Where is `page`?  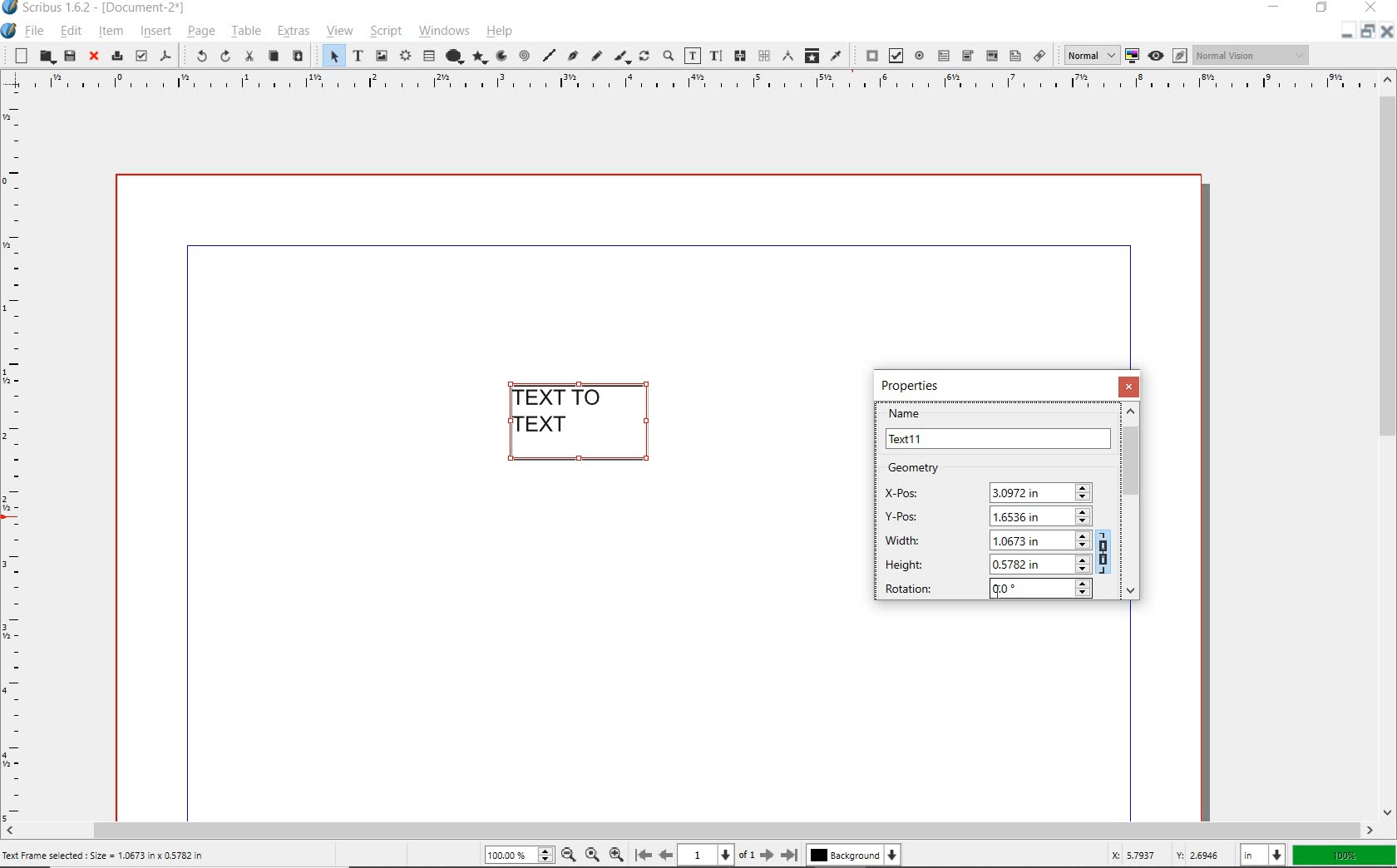
page is located at coordinates (200, 33).